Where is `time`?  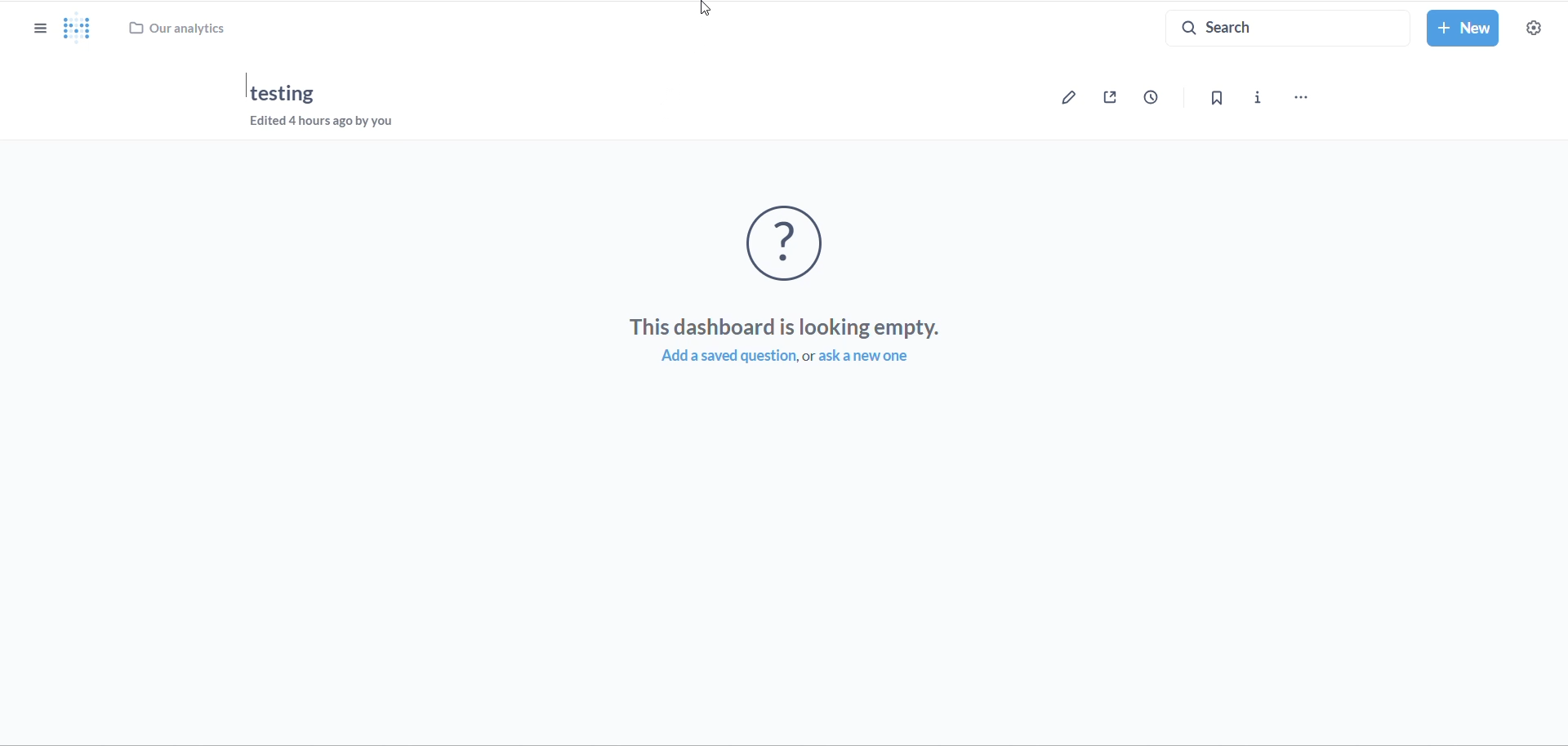
time is located at coordinates (1150, 98).